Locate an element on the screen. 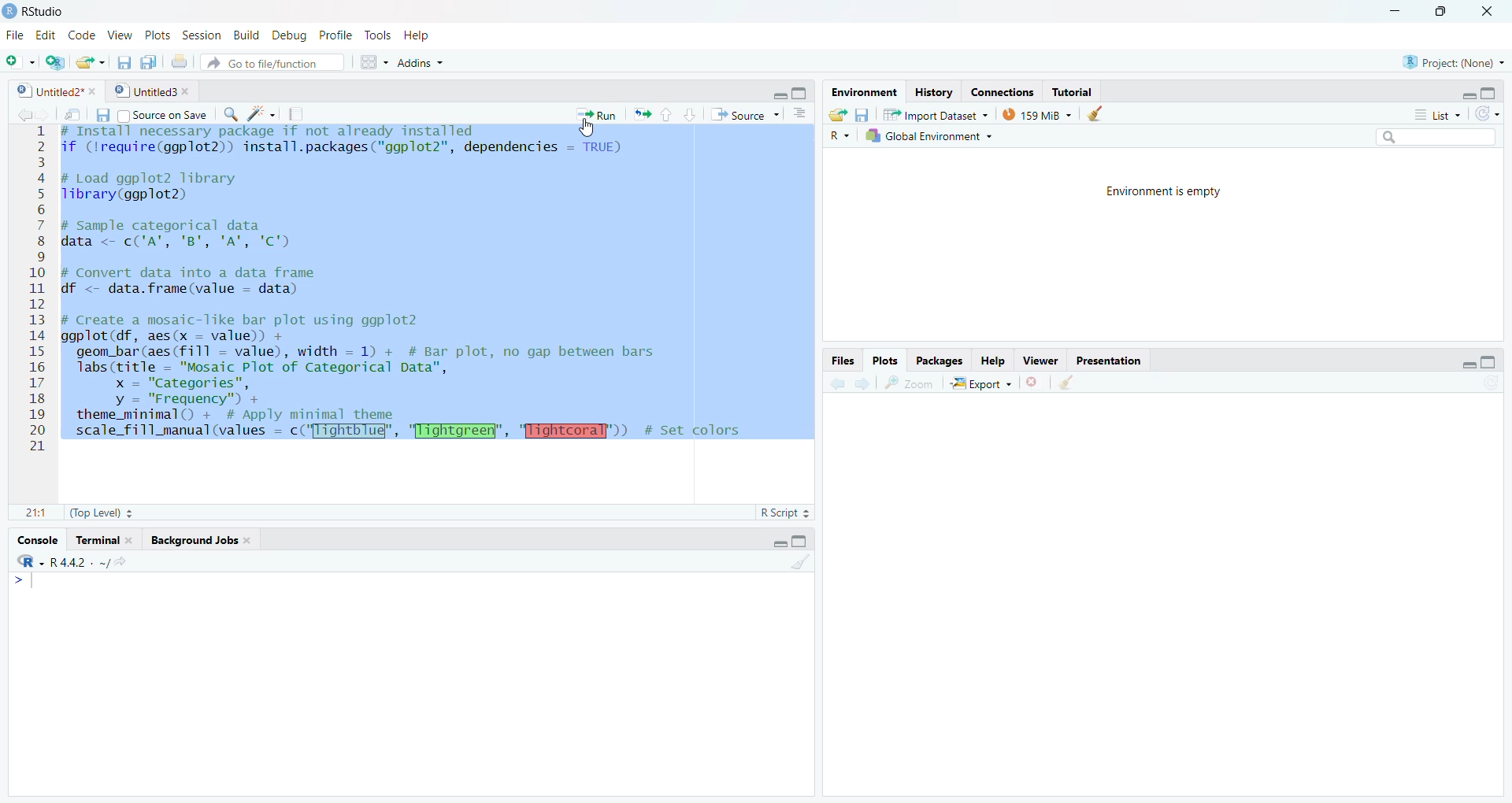 This screenshot has height=803, width=1512. Cursor is located at coordinates (592, 131).